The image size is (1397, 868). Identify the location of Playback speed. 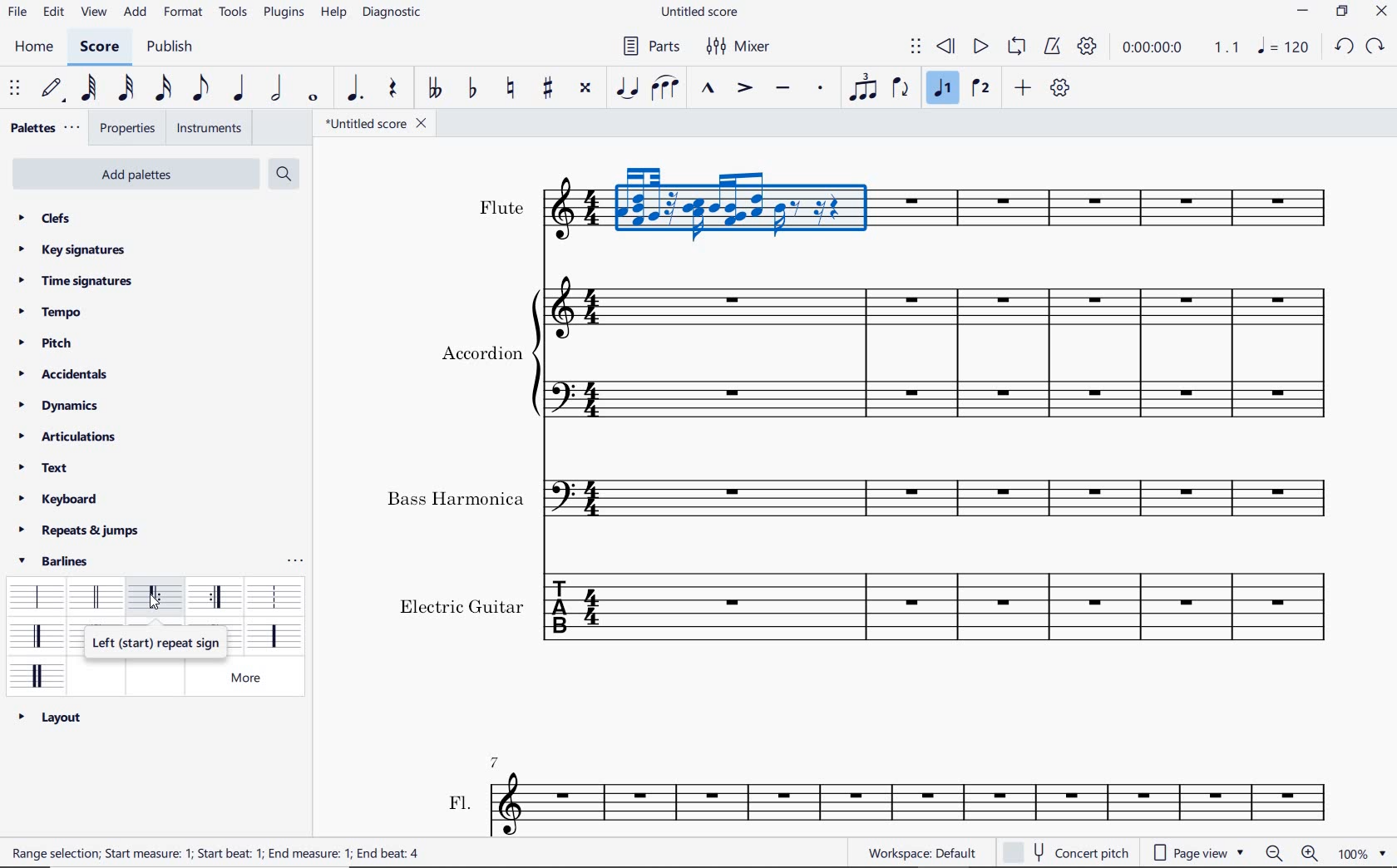
(1228, 47).